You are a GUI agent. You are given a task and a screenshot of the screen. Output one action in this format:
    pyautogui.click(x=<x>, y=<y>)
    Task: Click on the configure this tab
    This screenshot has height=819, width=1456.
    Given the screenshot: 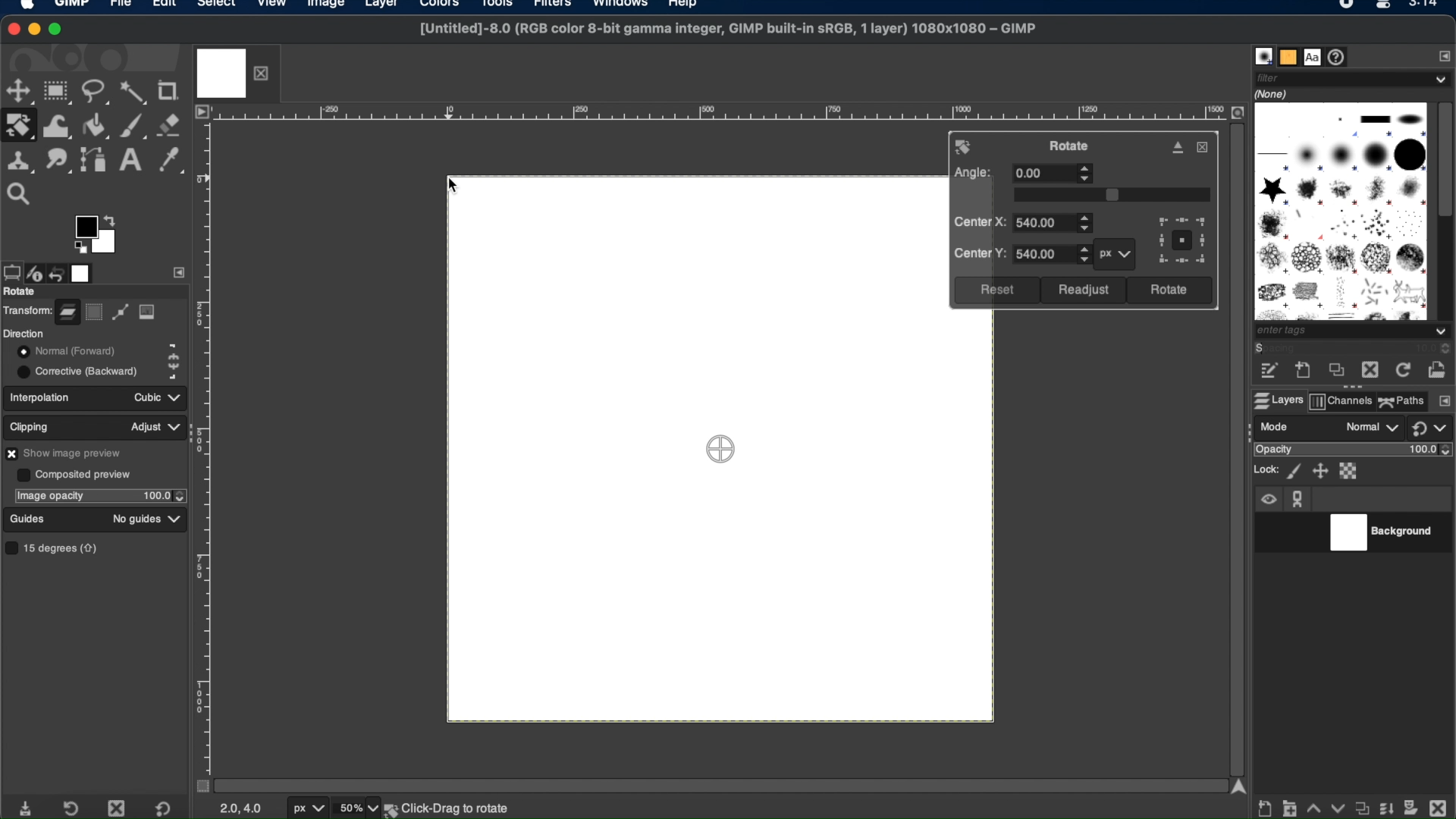 What is the action you would take?
    pyautogui.click(x=1442, y=55)
    